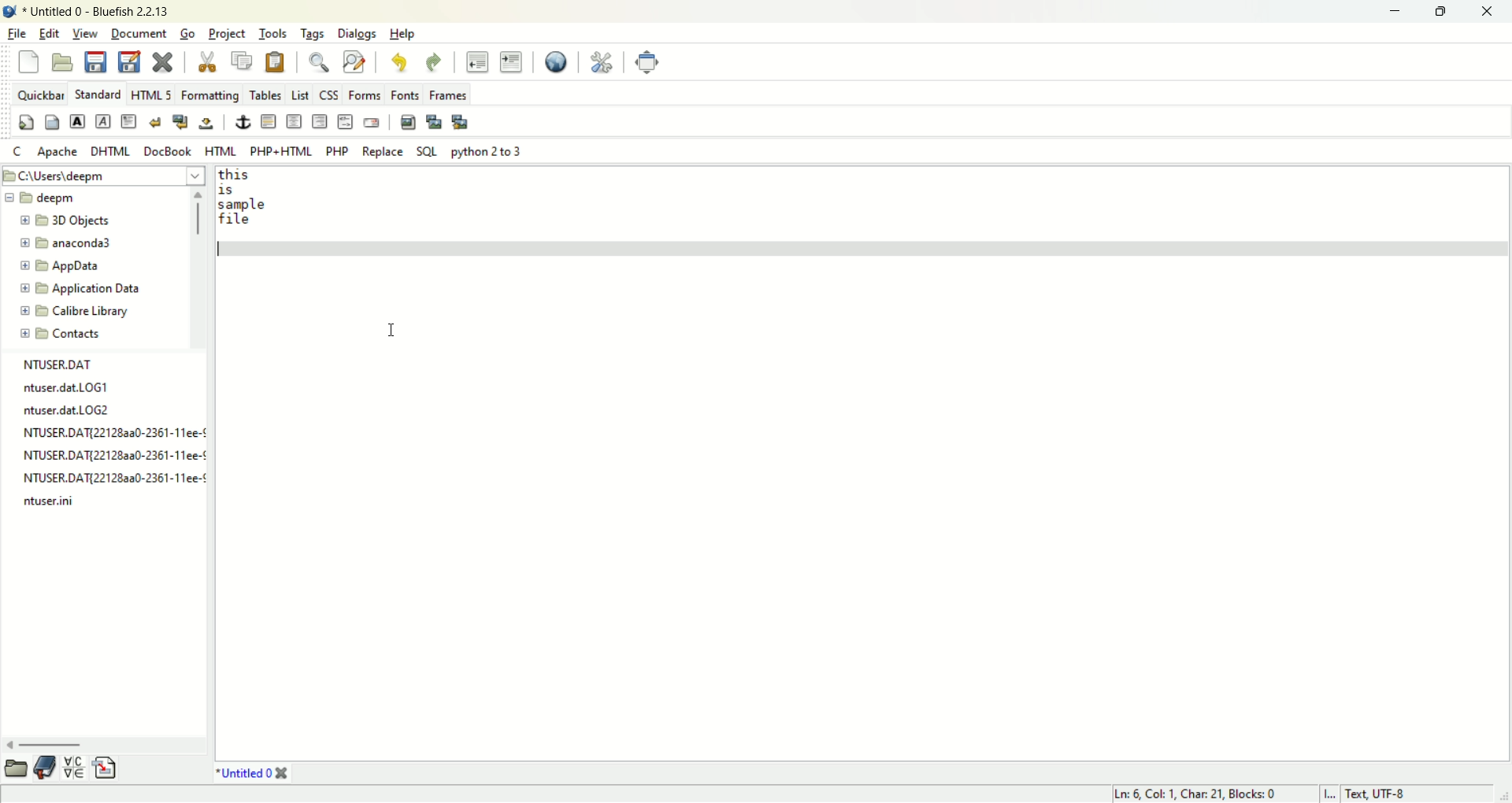 The width and height of the screenshot is (1512, 803). Describe the element at coordinates (56, 500) in the screenshot. I see `ntuser.ini` at that location.